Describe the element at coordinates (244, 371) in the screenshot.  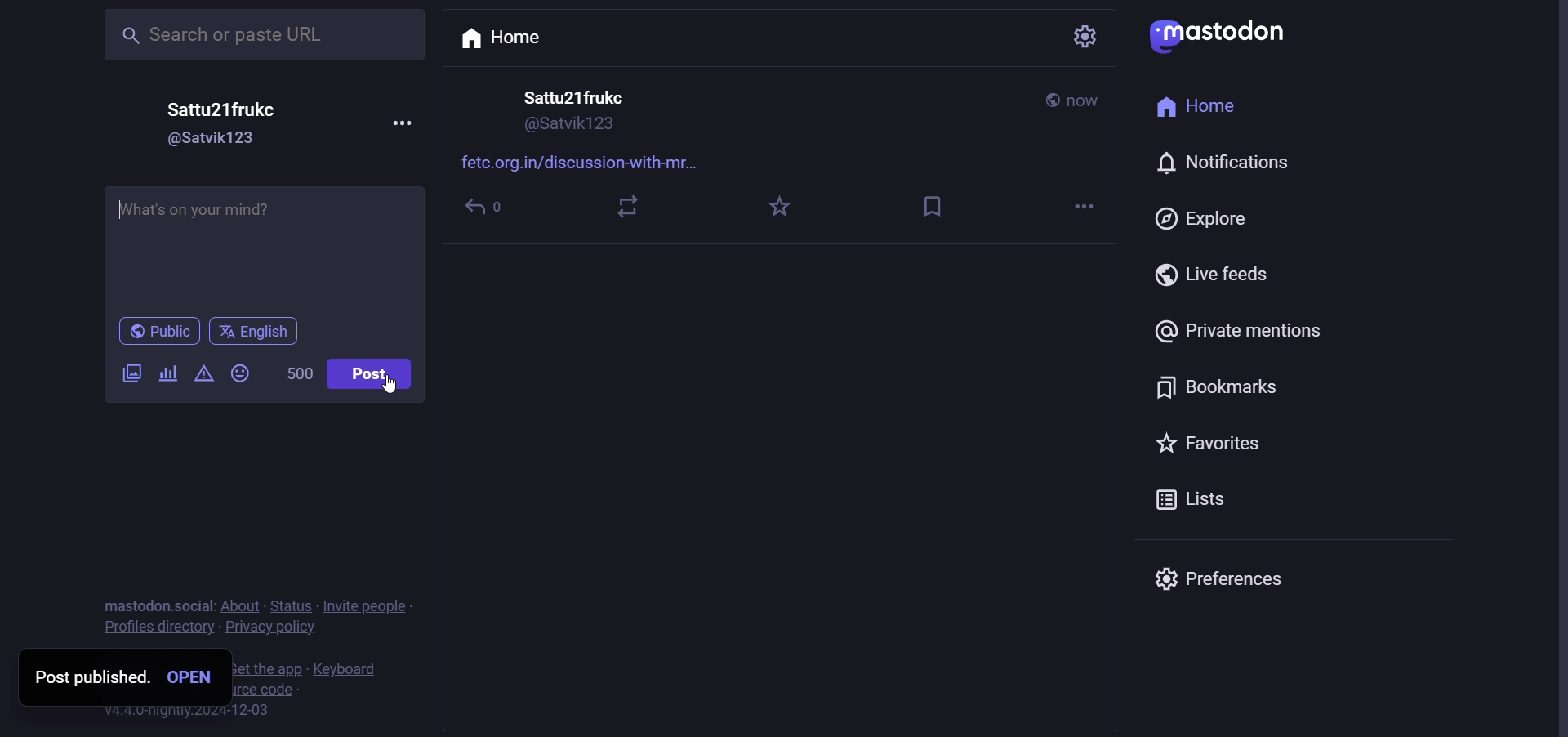
I see `emoji` at that location.